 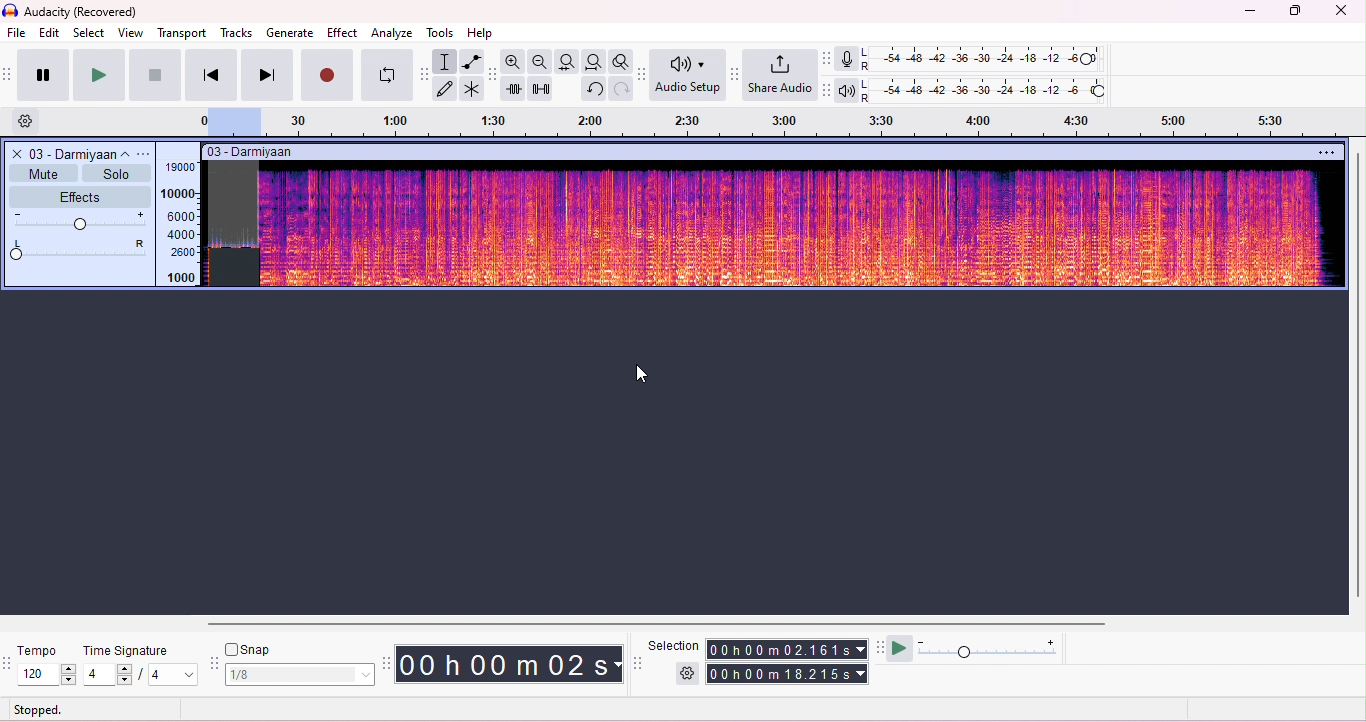 I want to click on playback speed, so click(x=988, y=648).